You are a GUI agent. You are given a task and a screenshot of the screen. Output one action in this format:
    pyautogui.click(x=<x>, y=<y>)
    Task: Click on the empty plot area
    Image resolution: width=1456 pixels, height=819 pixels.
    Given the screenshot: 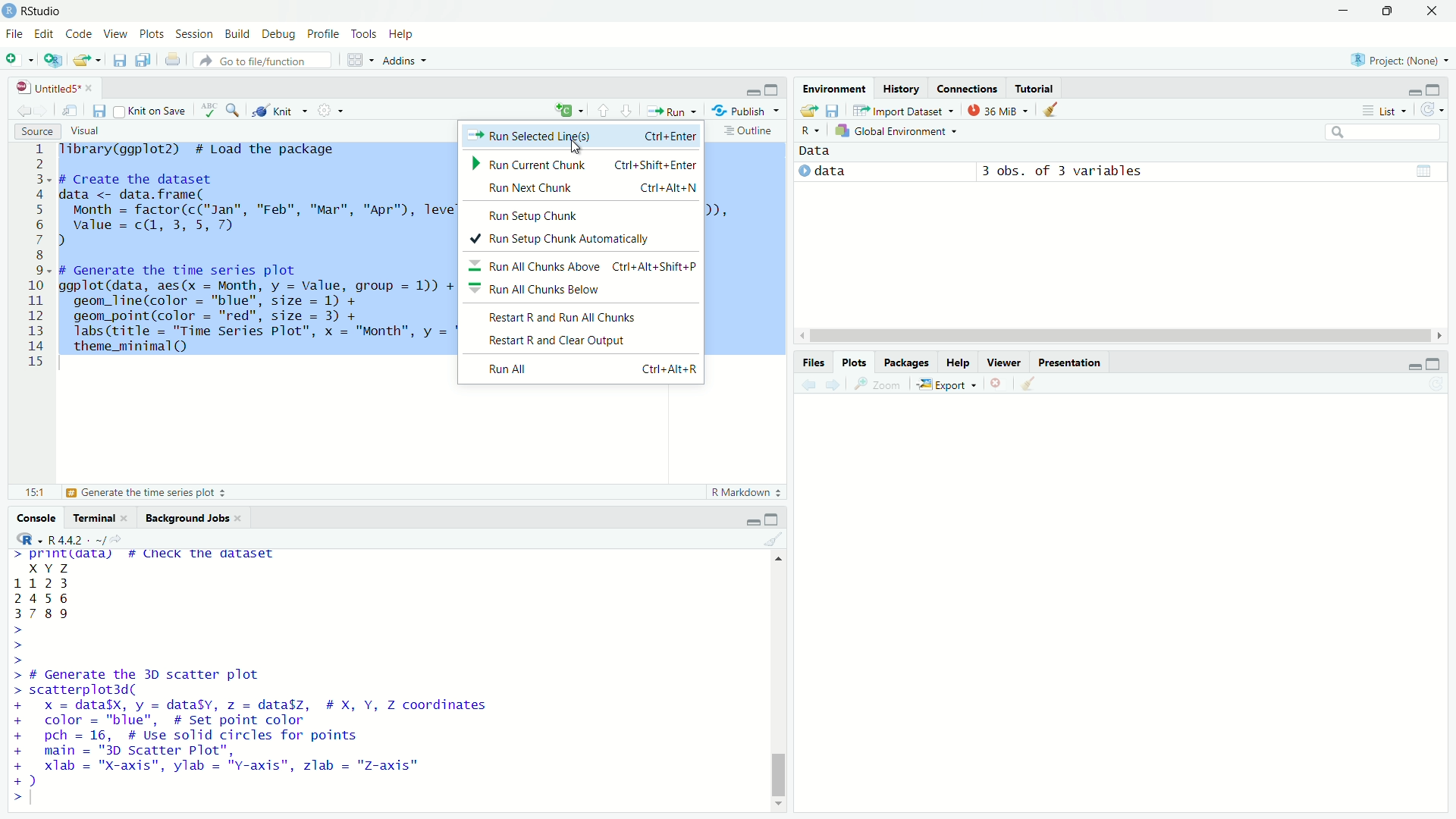 What is the action you would take?
    pyautogui.click(x=1128, y=612)
    